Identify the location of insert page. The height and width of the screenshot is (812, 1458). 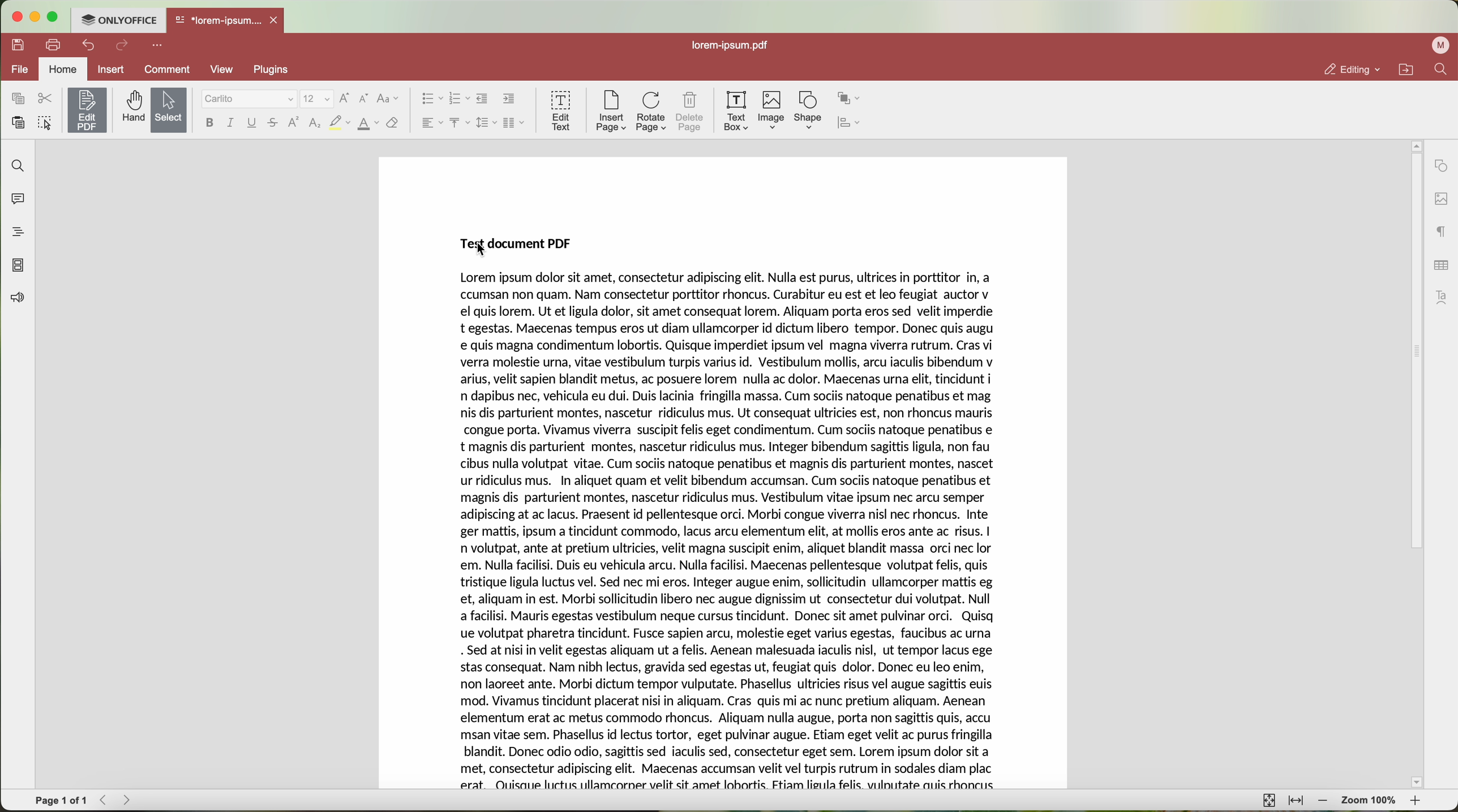
(610, 113).